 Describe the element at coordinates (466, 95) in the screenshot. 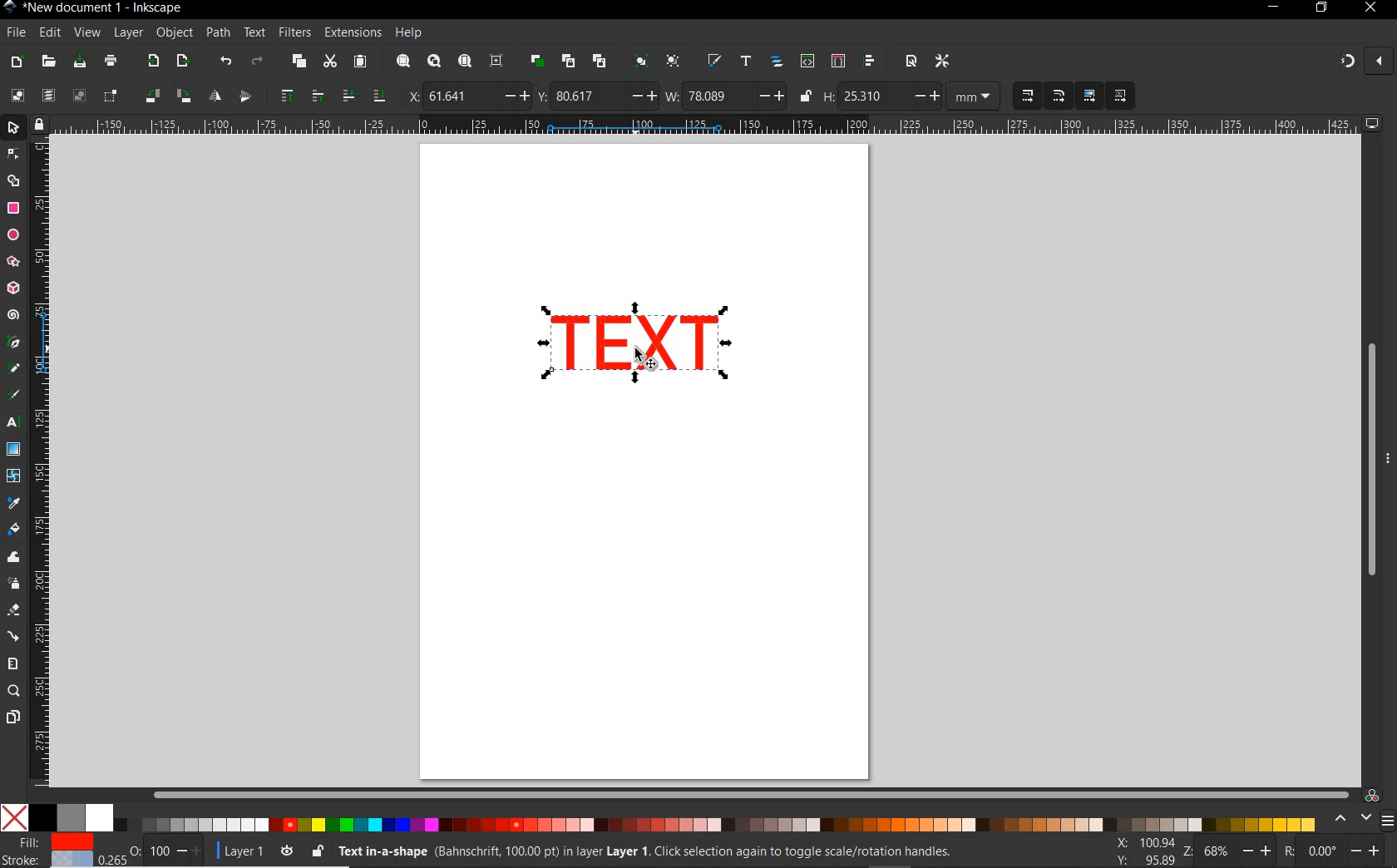

I see `horizontal coordinate of selection` at that location.